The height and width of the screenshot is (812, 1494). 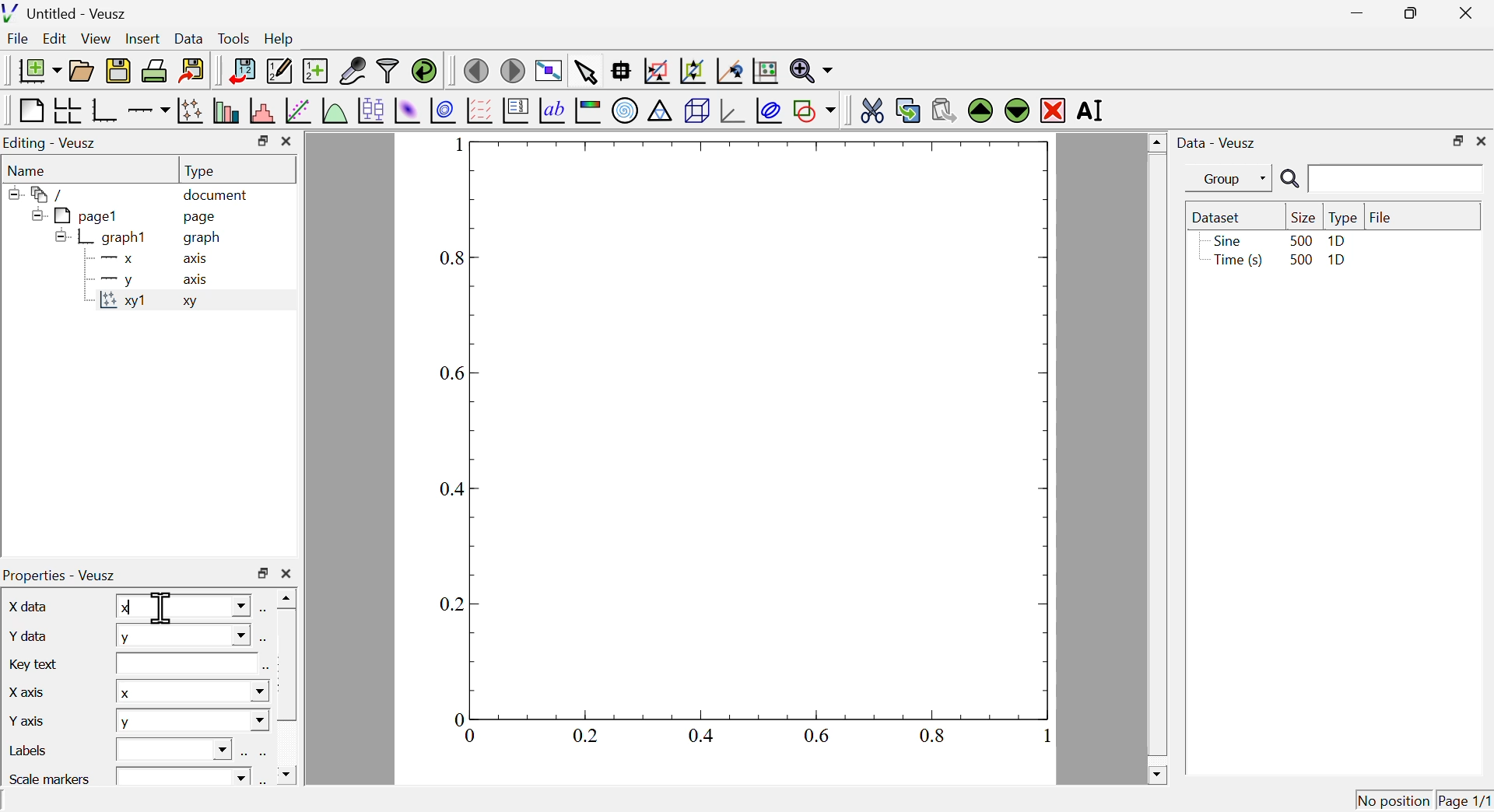 I want to click on 0.2, so click(x=452, y=604).